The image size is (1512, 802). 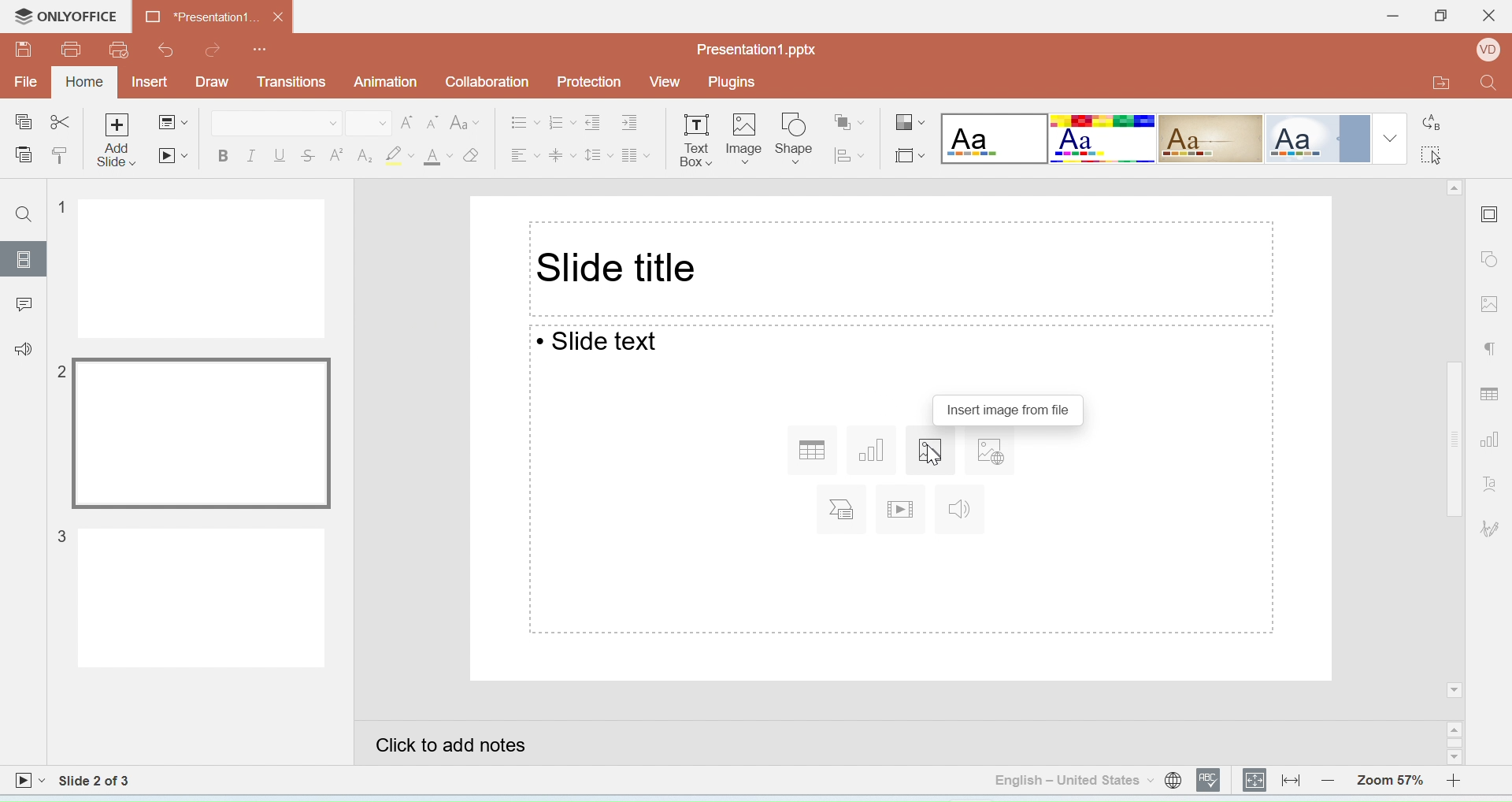 I want to click on Print file, so click(x=72, y=50).